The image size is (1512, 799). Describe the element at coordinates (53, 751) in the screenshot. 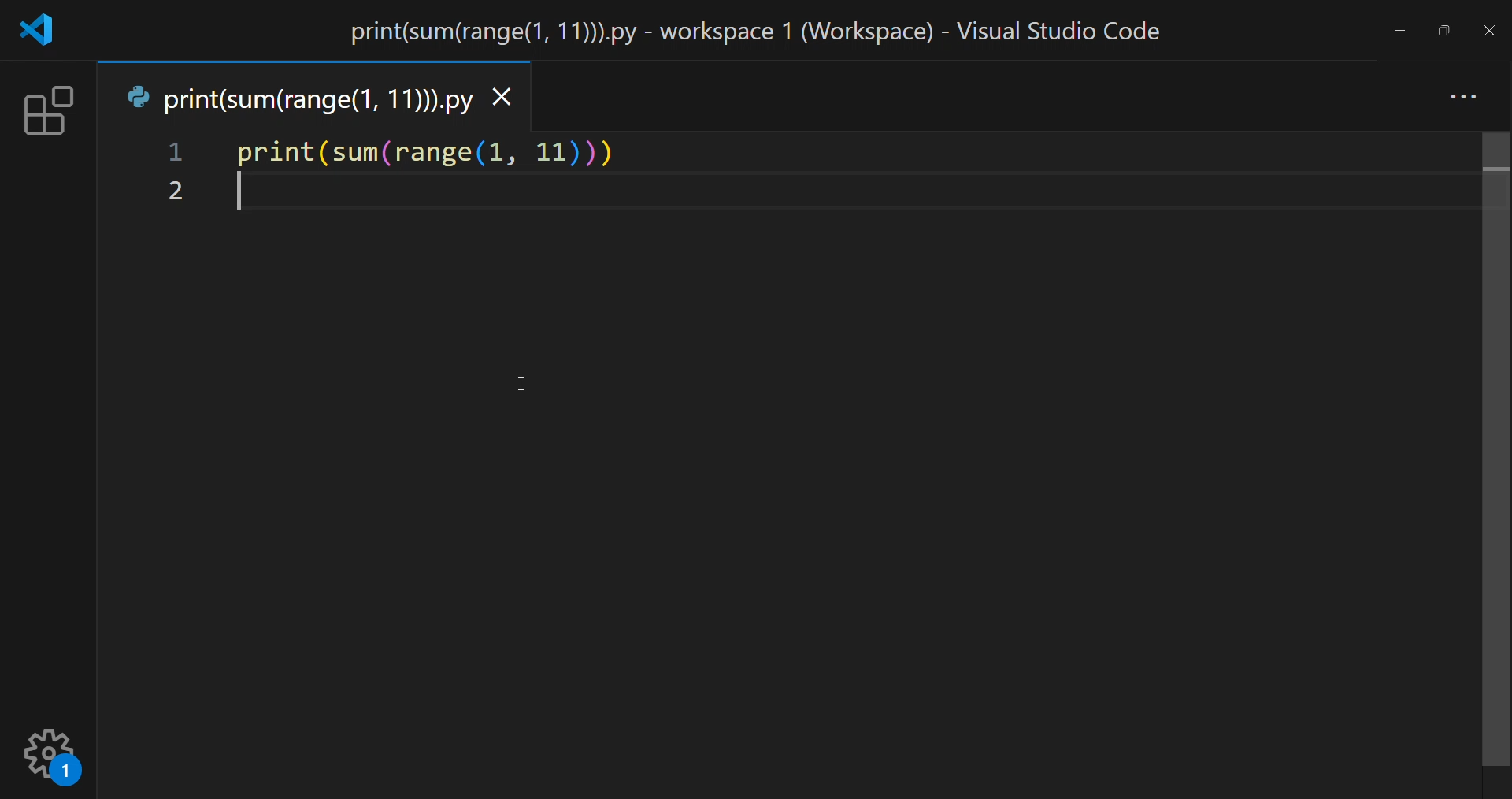

I see `settings` at that location.